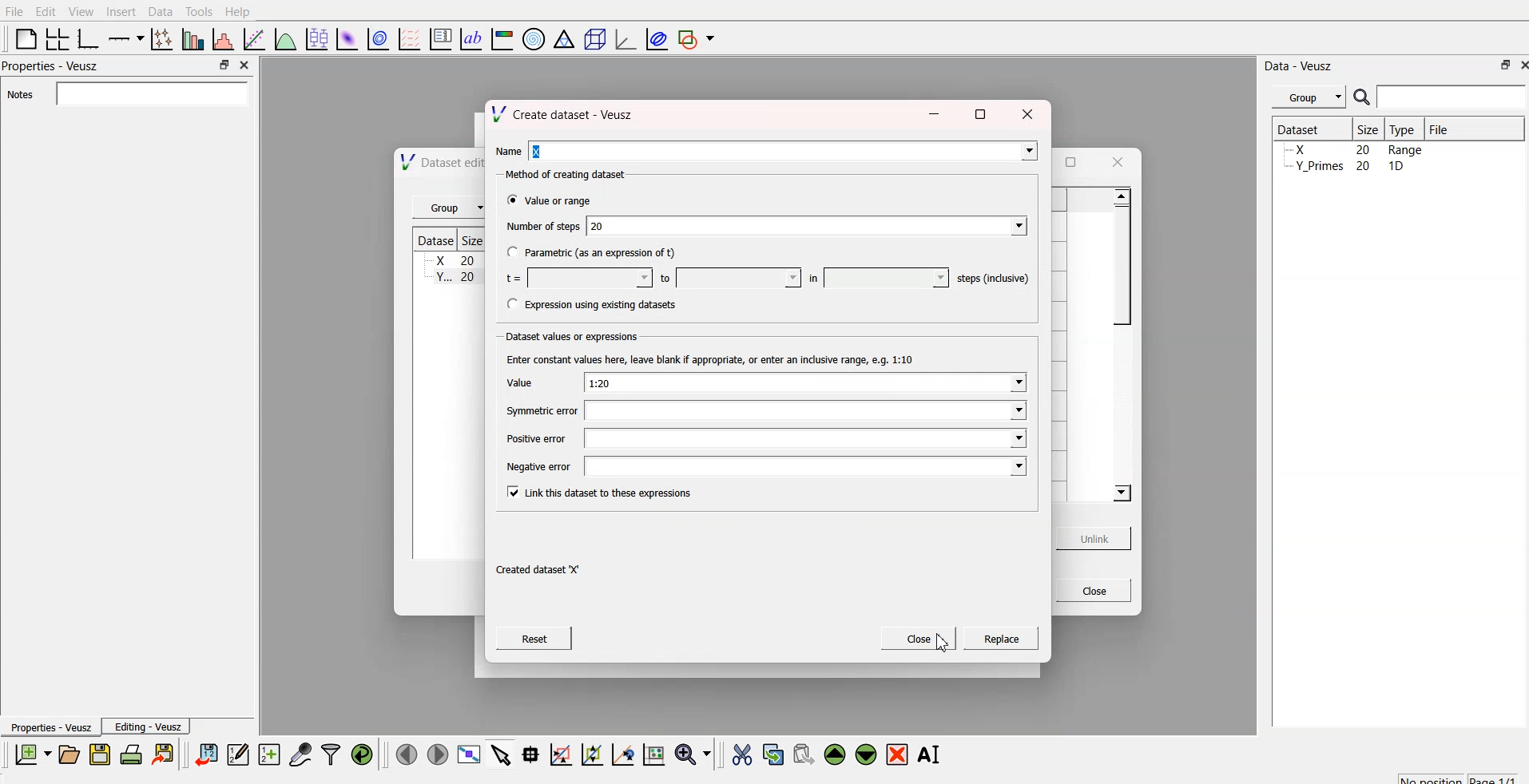  Describe the element at coordinates (594, 307) in the screenshot. I see `(Expression using existing datasets` at that location.